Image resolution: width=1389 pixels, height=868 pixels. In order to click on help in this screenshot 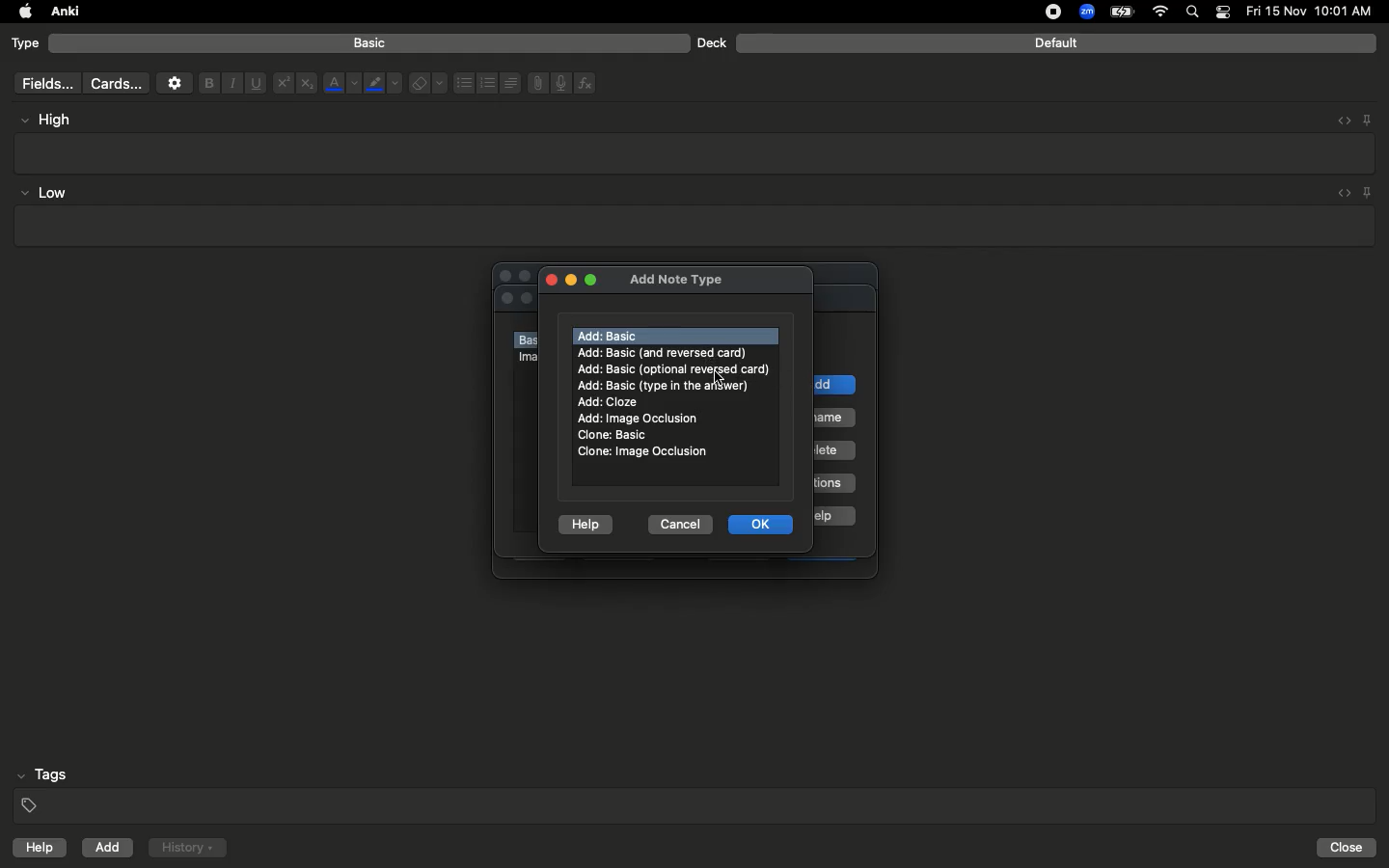, I will do `click(36, 850)`.